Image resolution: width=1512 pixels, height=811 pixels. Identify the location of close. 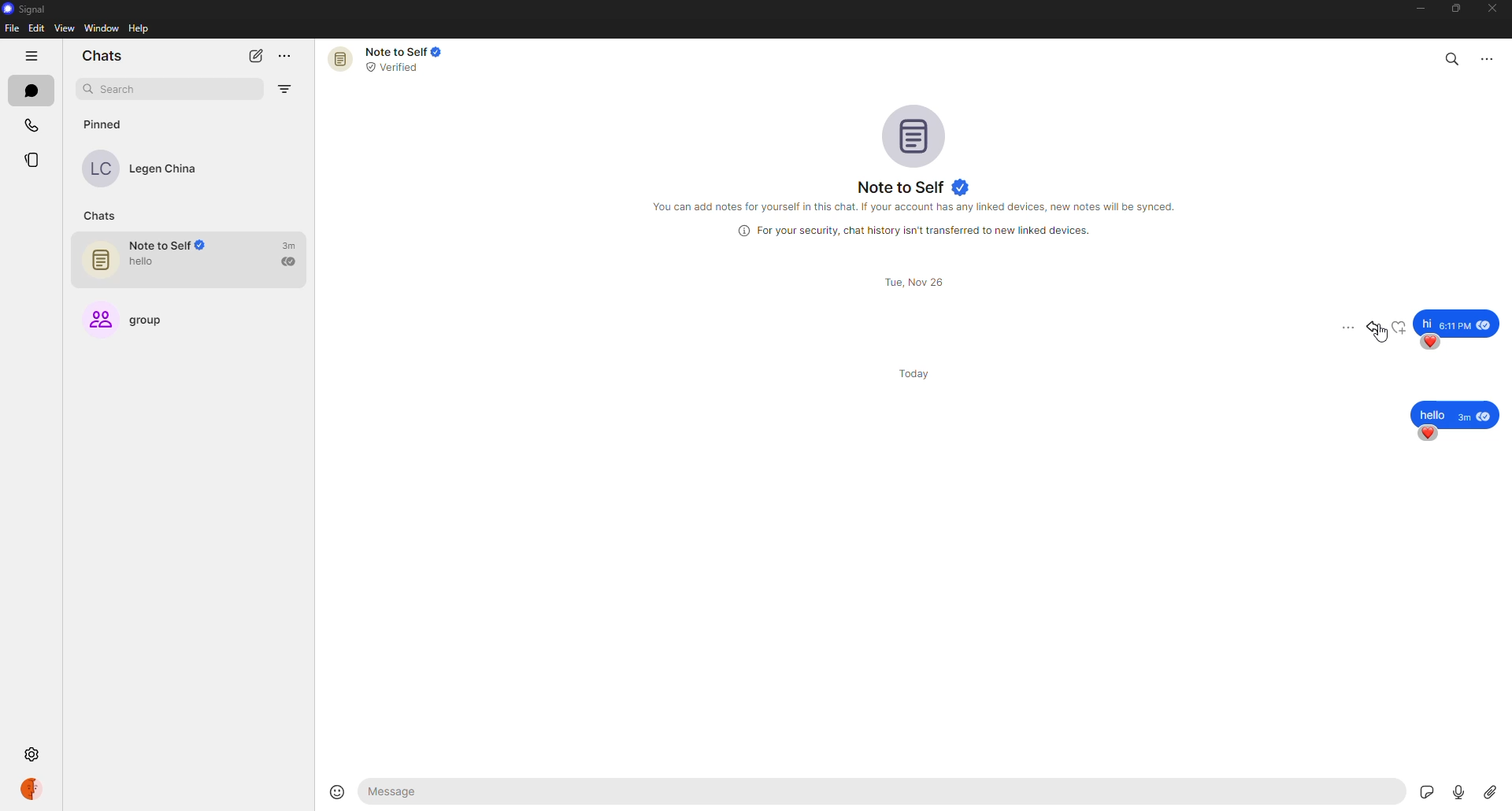
(1494, 8).